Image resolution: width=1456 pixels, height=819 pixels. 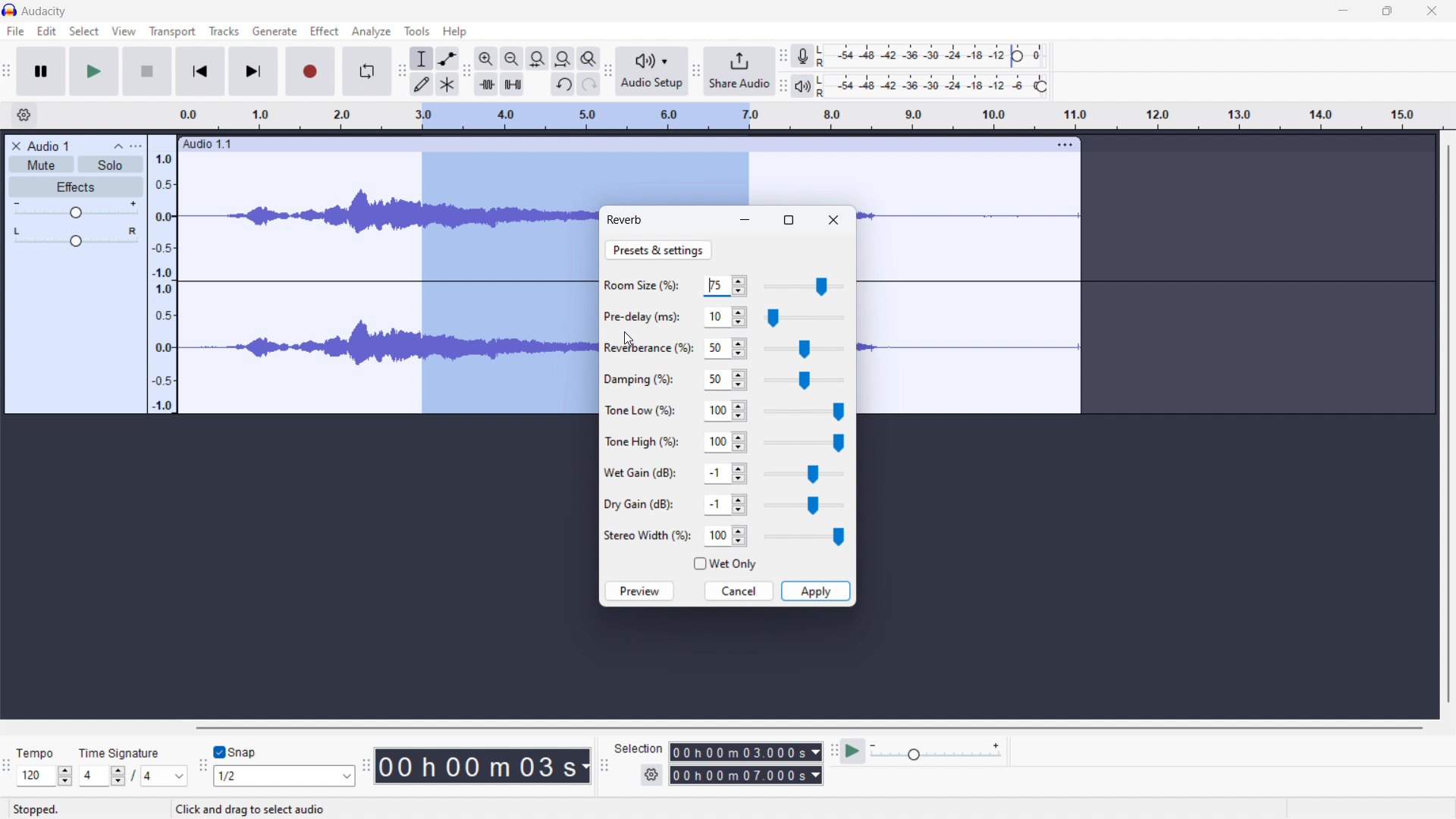 I want to click on more options, so click(x=141, y=143).